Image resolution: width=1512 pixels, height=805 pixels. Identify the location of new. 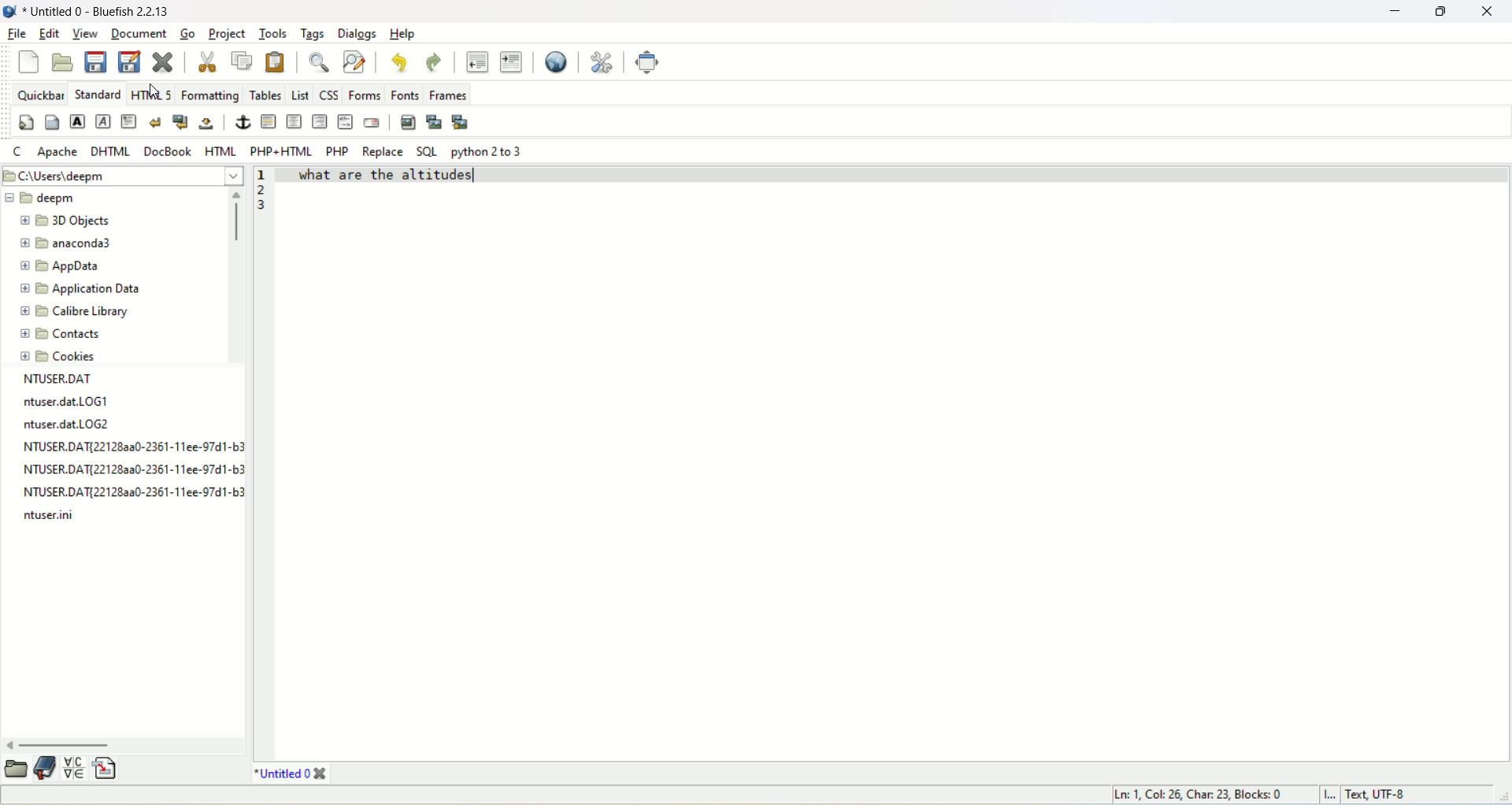
(28, 62).